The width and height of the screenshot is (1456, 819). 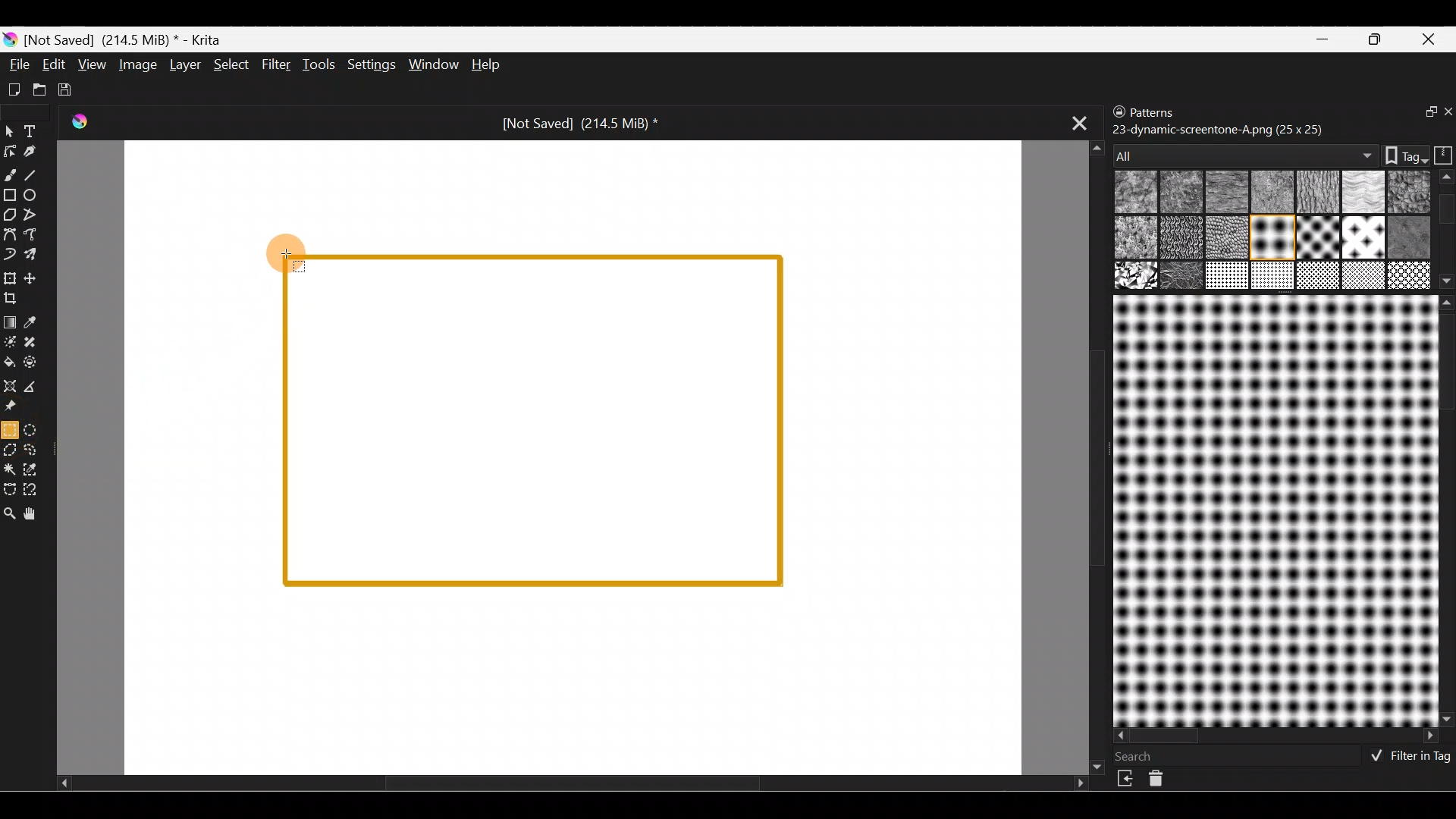 What do you see at coordinates (92, 63) in the screenshot?
I see `View` at bounding box center [92, 63].